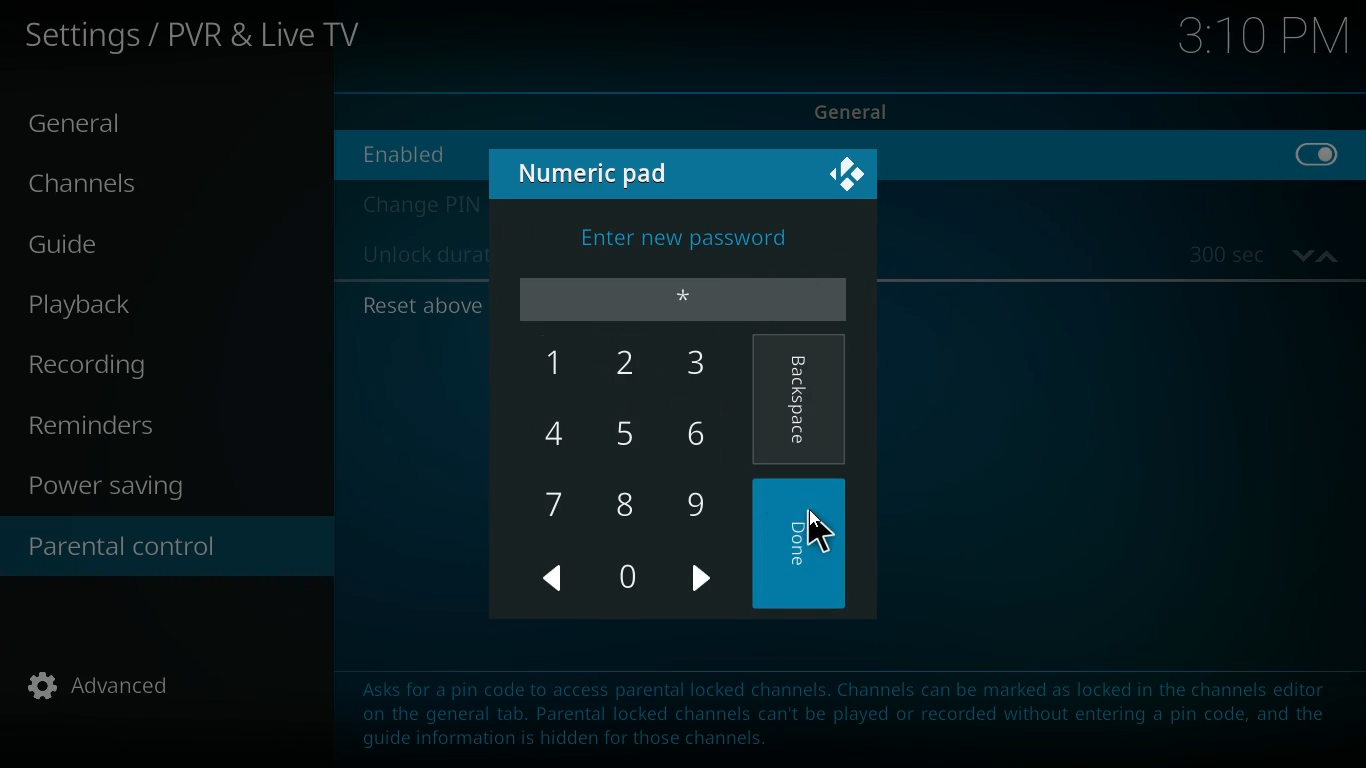 The width and height of the screenshot is (1366, 768). I want to click on 1, so click(547, 360).